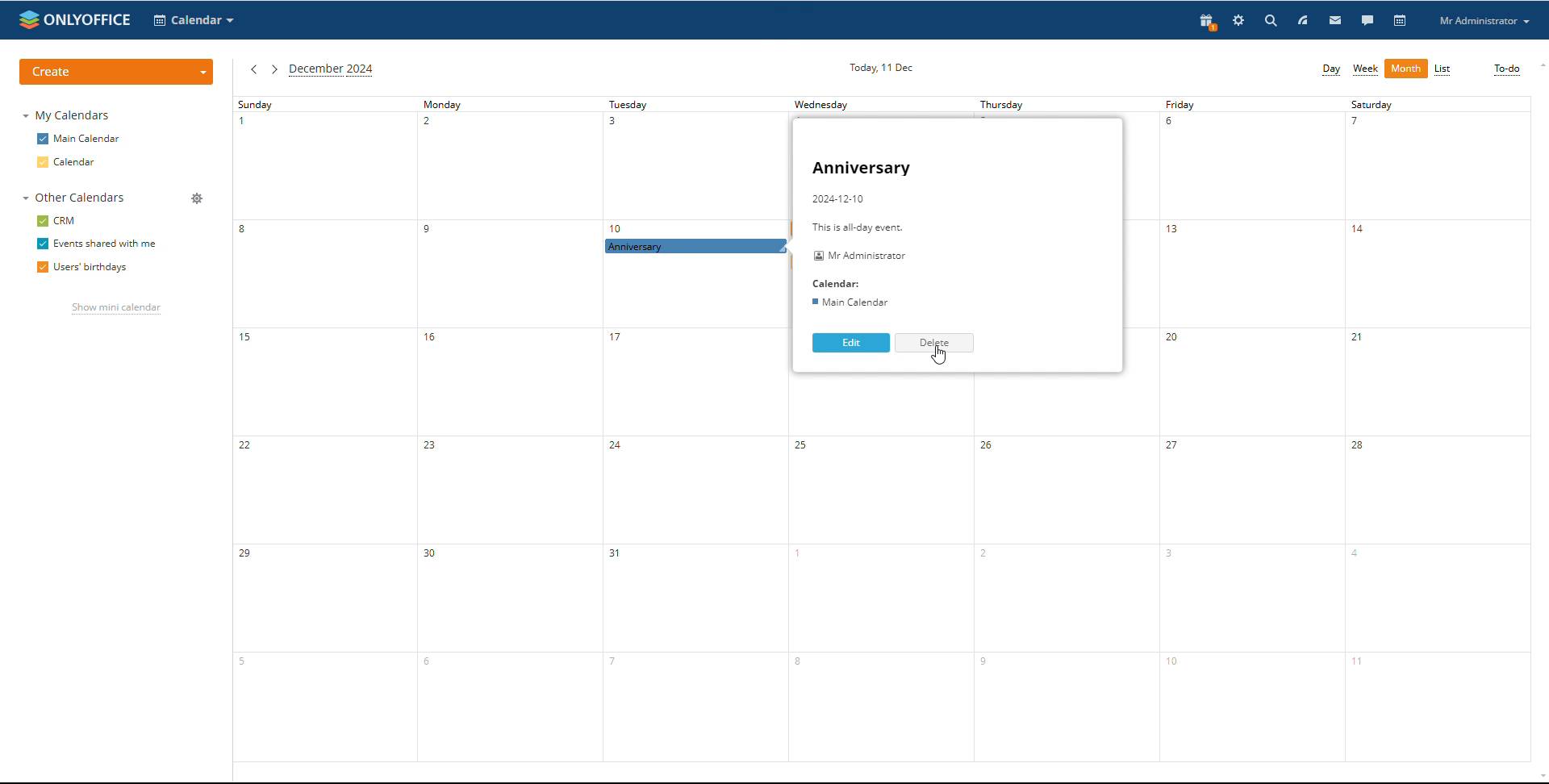 This screenshot has height=784, width=1549. Describe the element at coordinates (99, 244) in the screenshot. I see `events shared with me` at that location.